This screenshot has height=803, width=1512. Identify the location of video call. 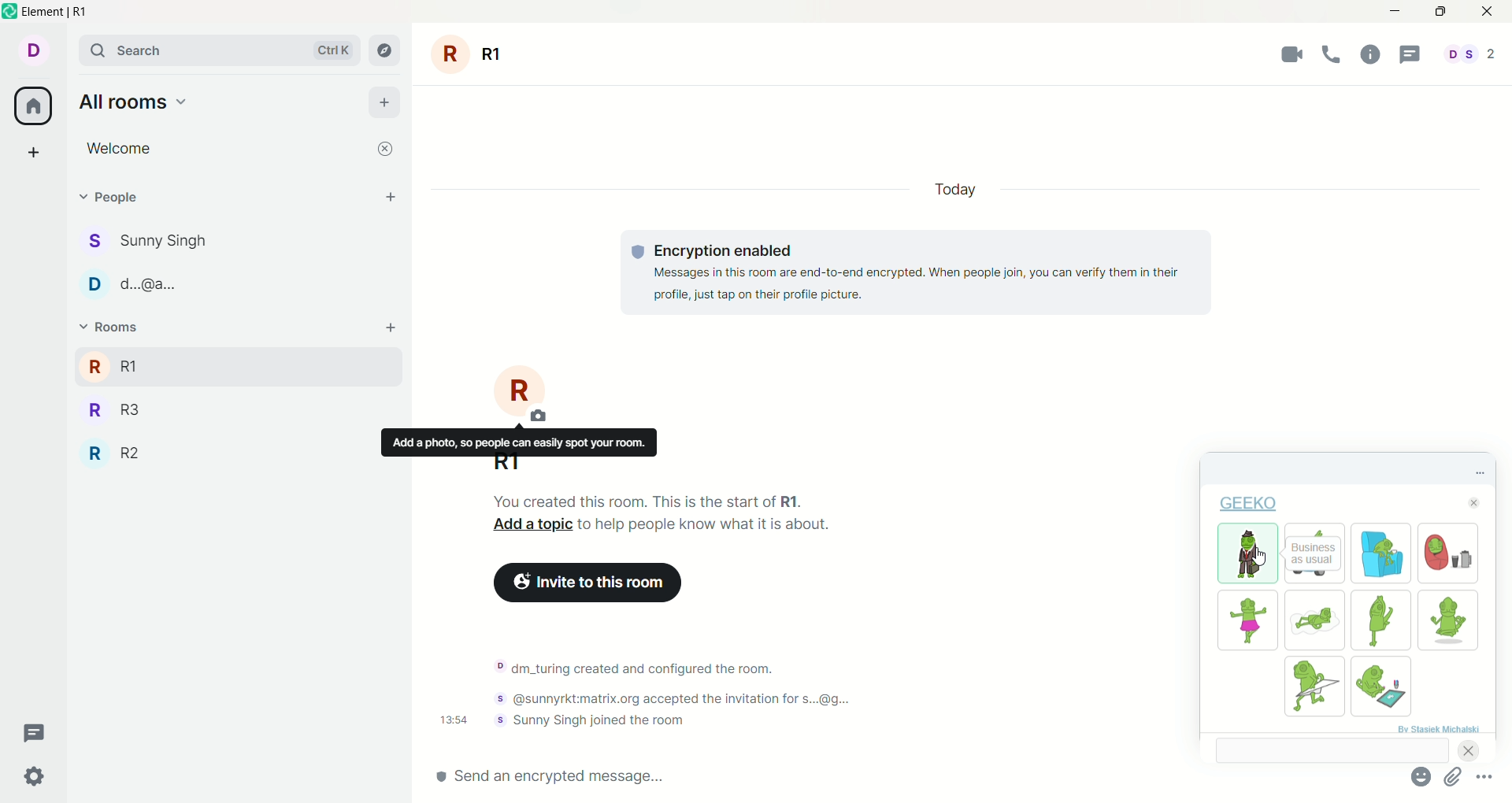
(1291, 54).